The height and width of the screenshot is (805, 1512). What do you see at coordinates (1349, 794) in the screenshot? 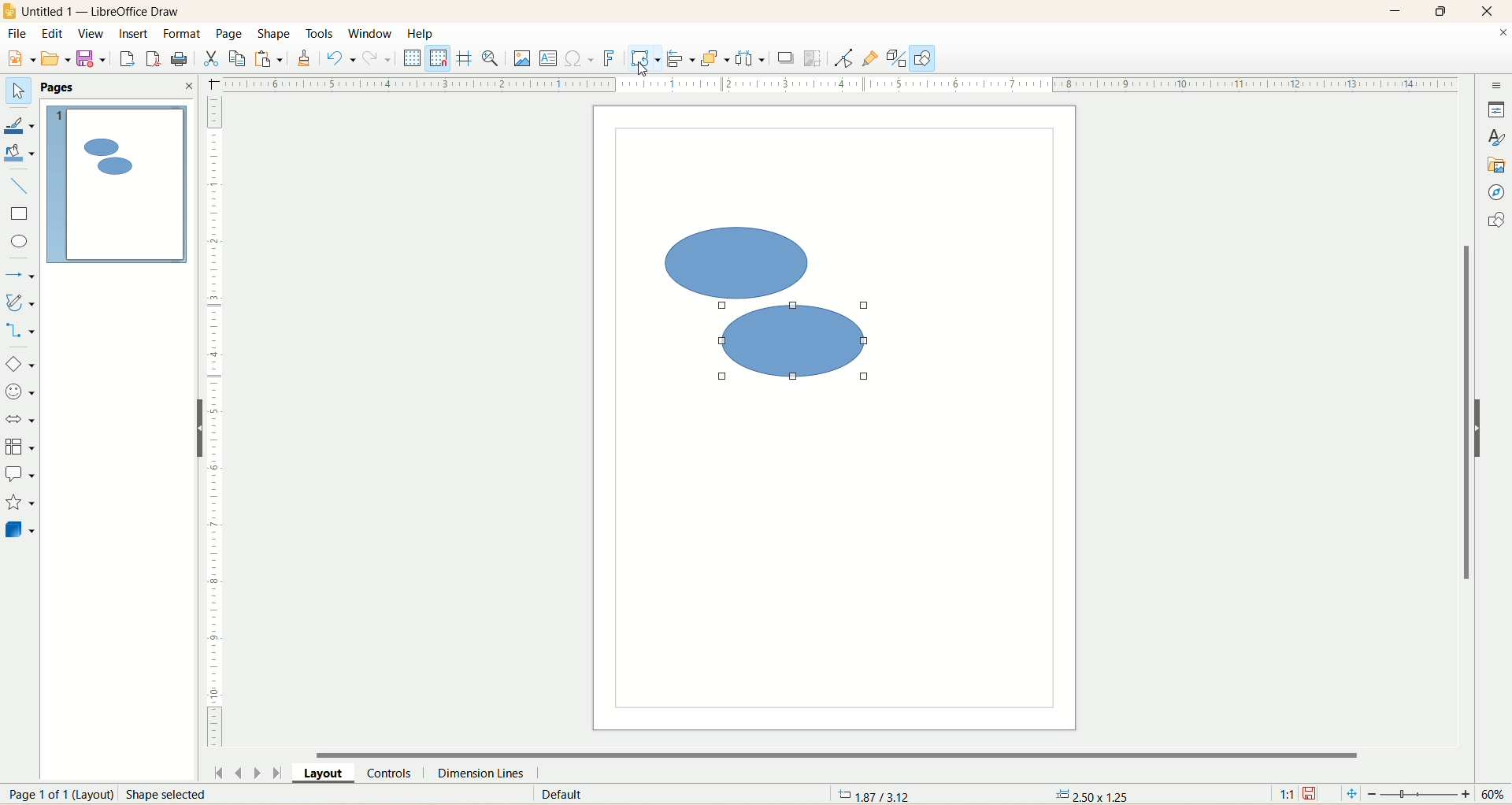
I see `fit page to current window` at bounding box center [1349, 794].